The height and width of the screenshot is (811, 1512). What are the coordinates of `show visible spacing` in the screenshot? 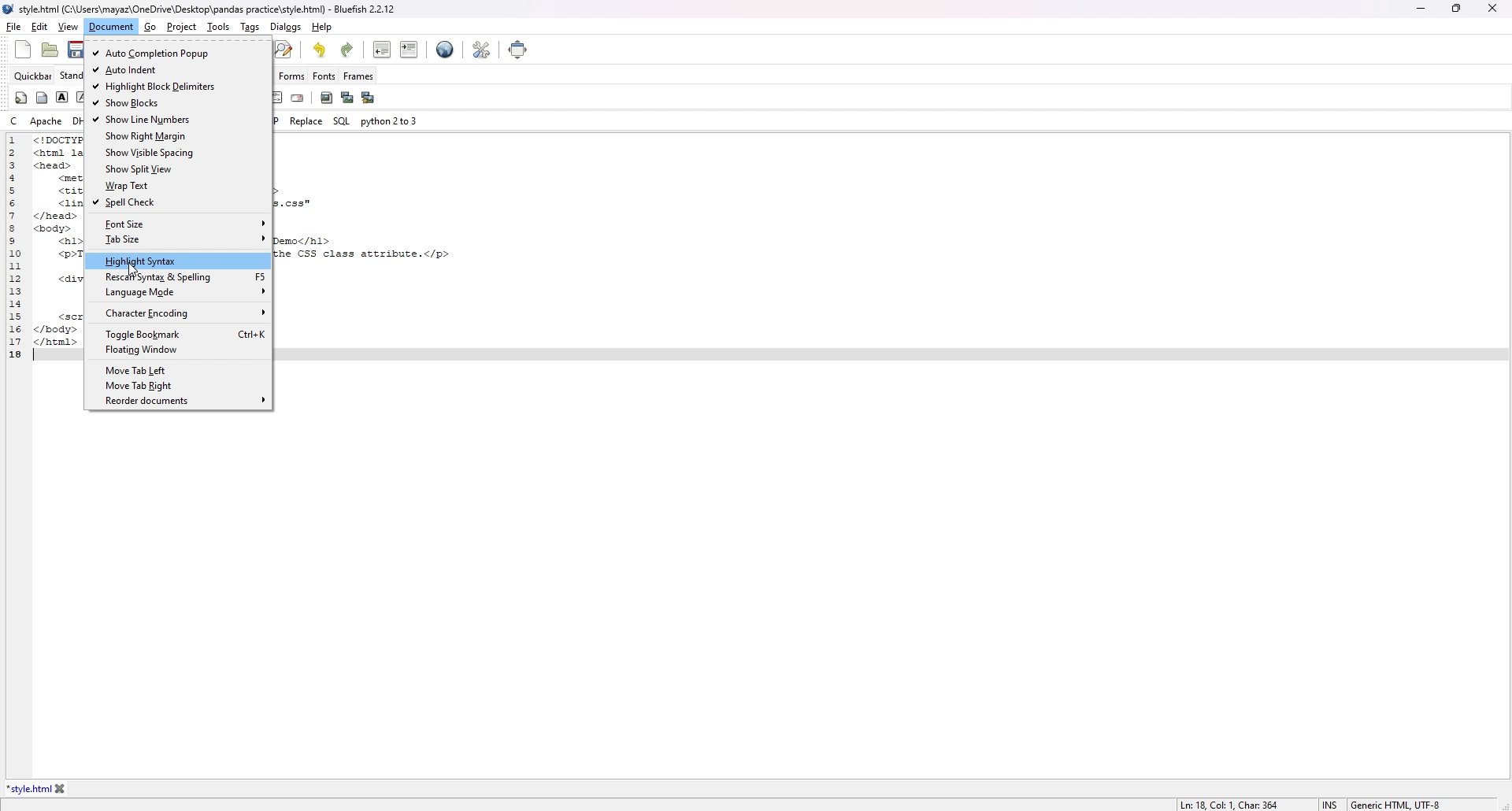 It's located at (176, 153).